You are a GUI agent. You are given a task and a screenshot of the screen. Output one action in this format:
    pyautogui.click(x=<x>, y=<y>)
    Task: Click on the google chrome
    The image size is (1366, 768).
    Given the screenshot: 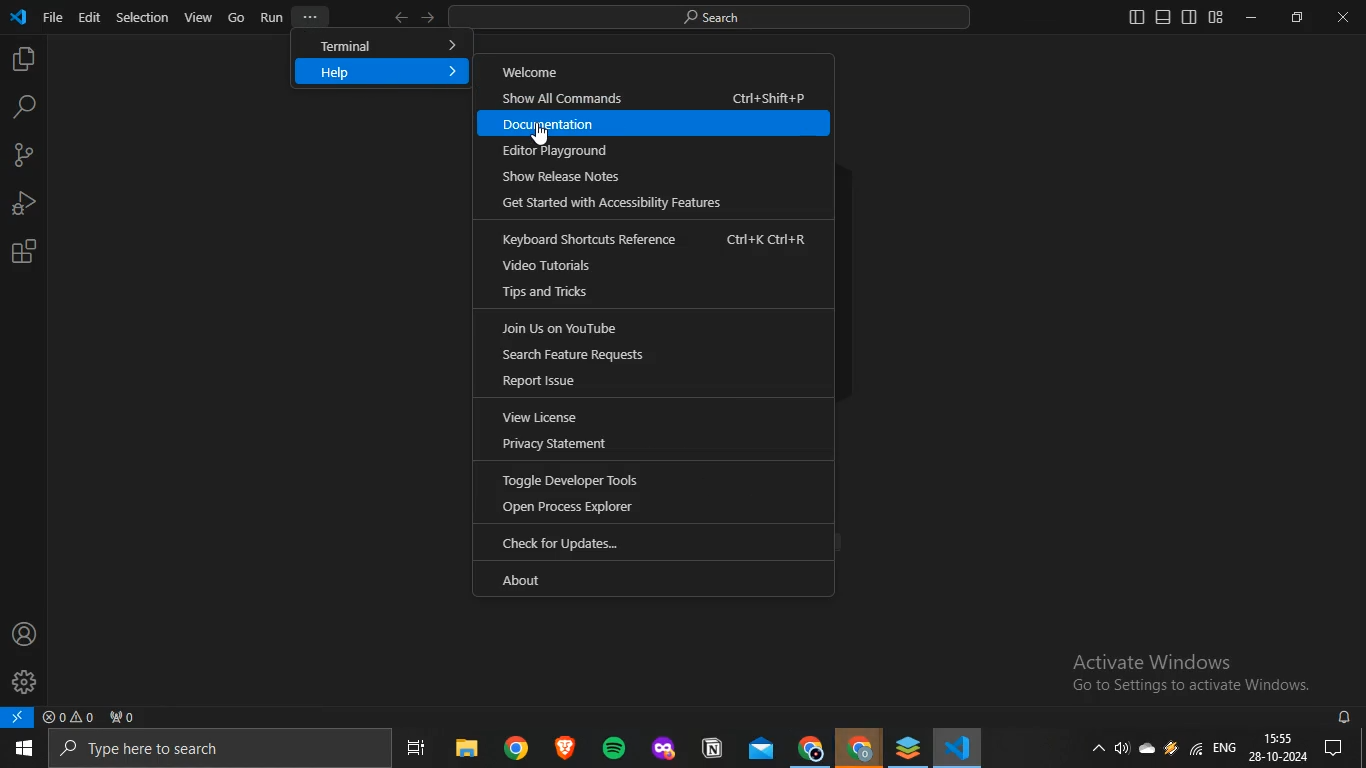 What is the action you would take?
    pyautogui.click(x=859, y=749)
    